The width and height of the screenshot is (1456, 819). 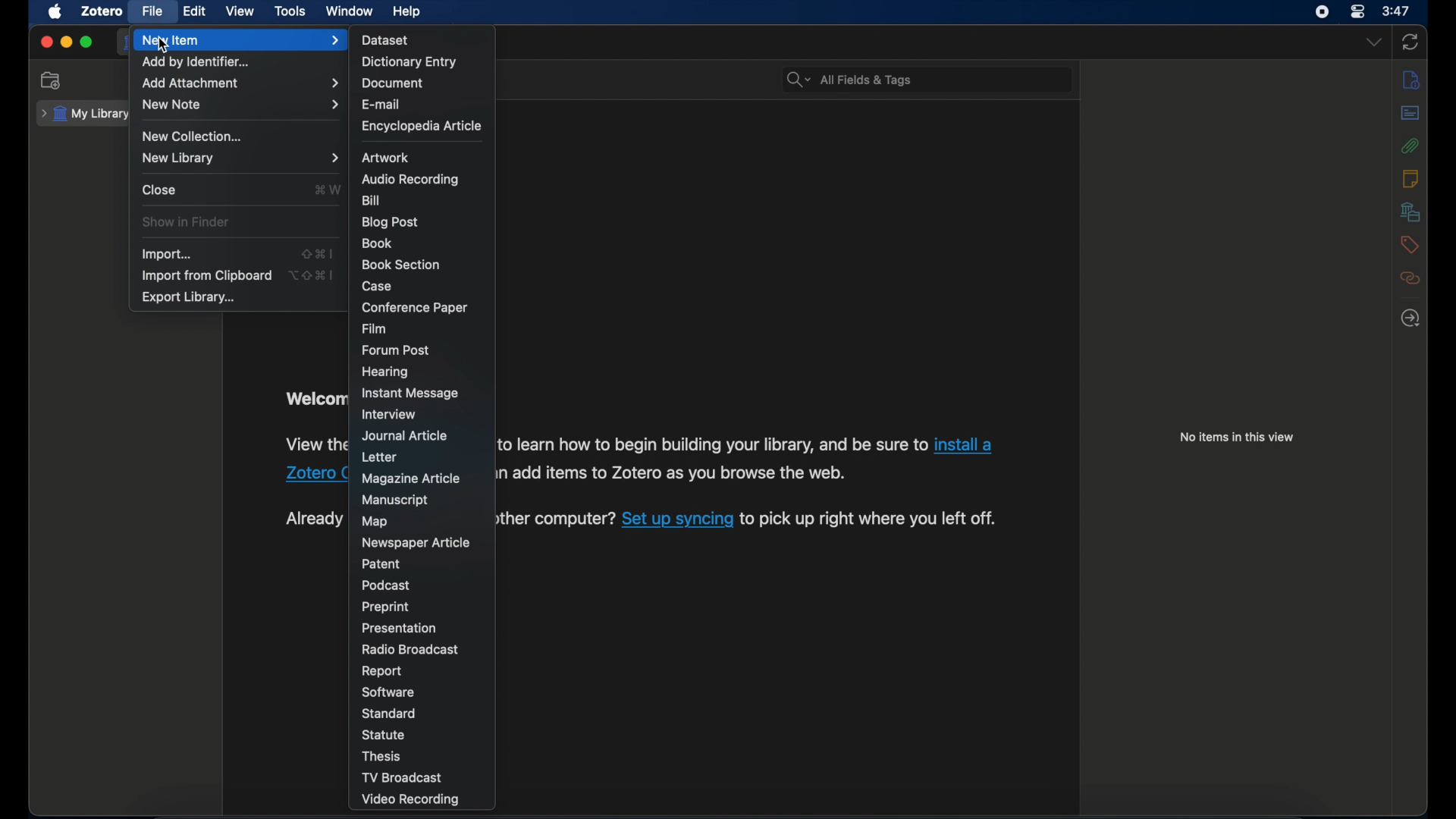 What do you see at coordinates (240, 83) in the screenshot?
I see `add attachment` at bounding box center [240, 83].